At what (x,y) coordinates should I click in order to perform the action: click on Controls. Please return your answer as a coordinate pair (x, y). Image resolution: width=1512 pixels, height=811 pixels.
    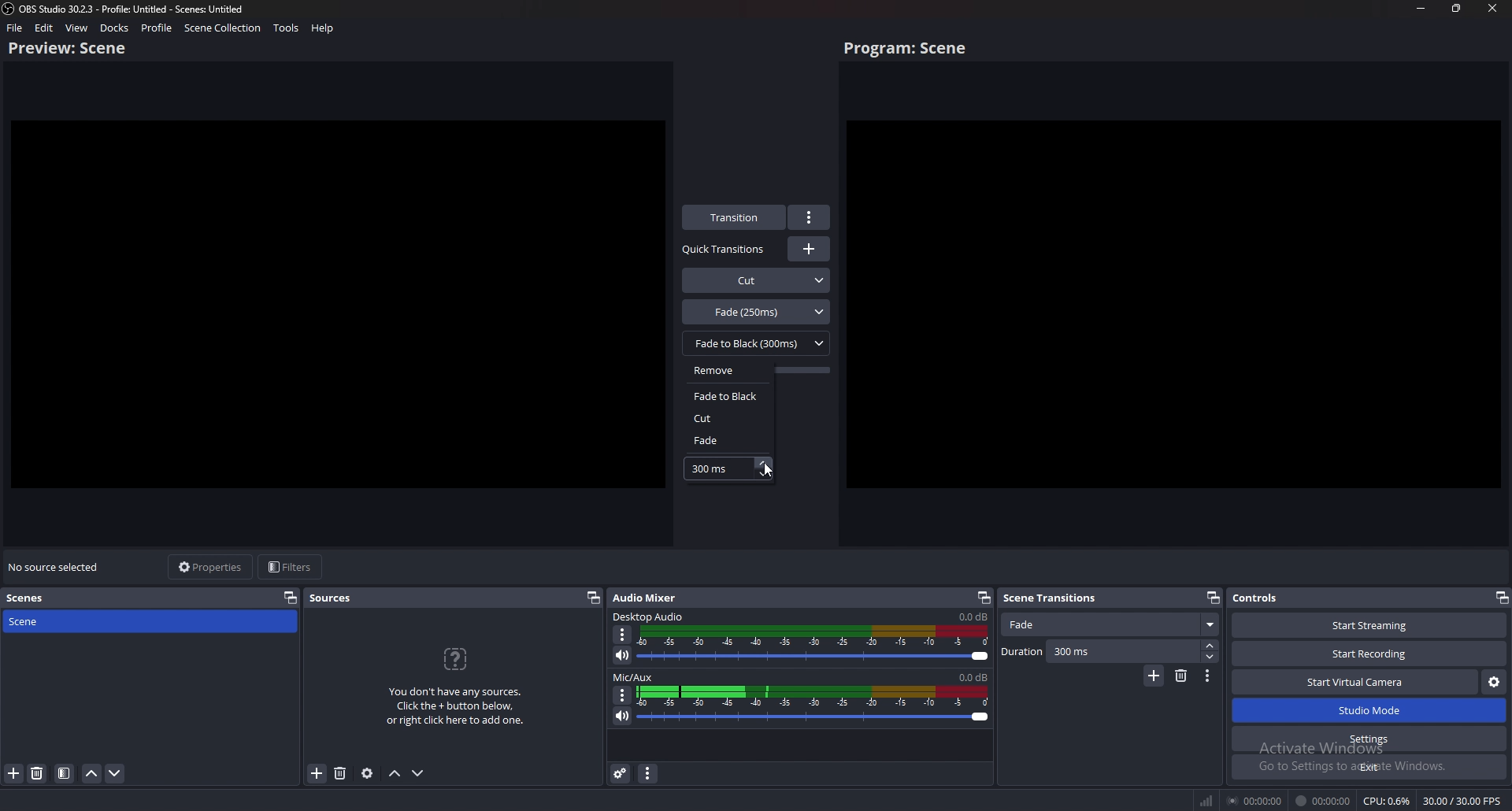
    Looking at the image, I should click on (1279, 598).